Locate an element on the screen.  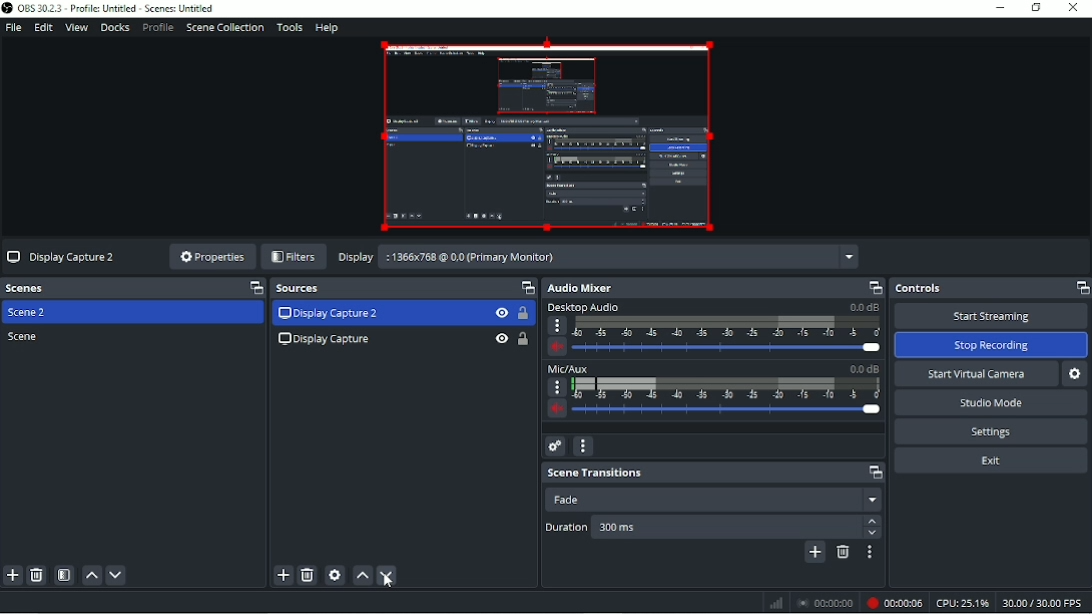
Stop recording is located at coordinates (825, 603).